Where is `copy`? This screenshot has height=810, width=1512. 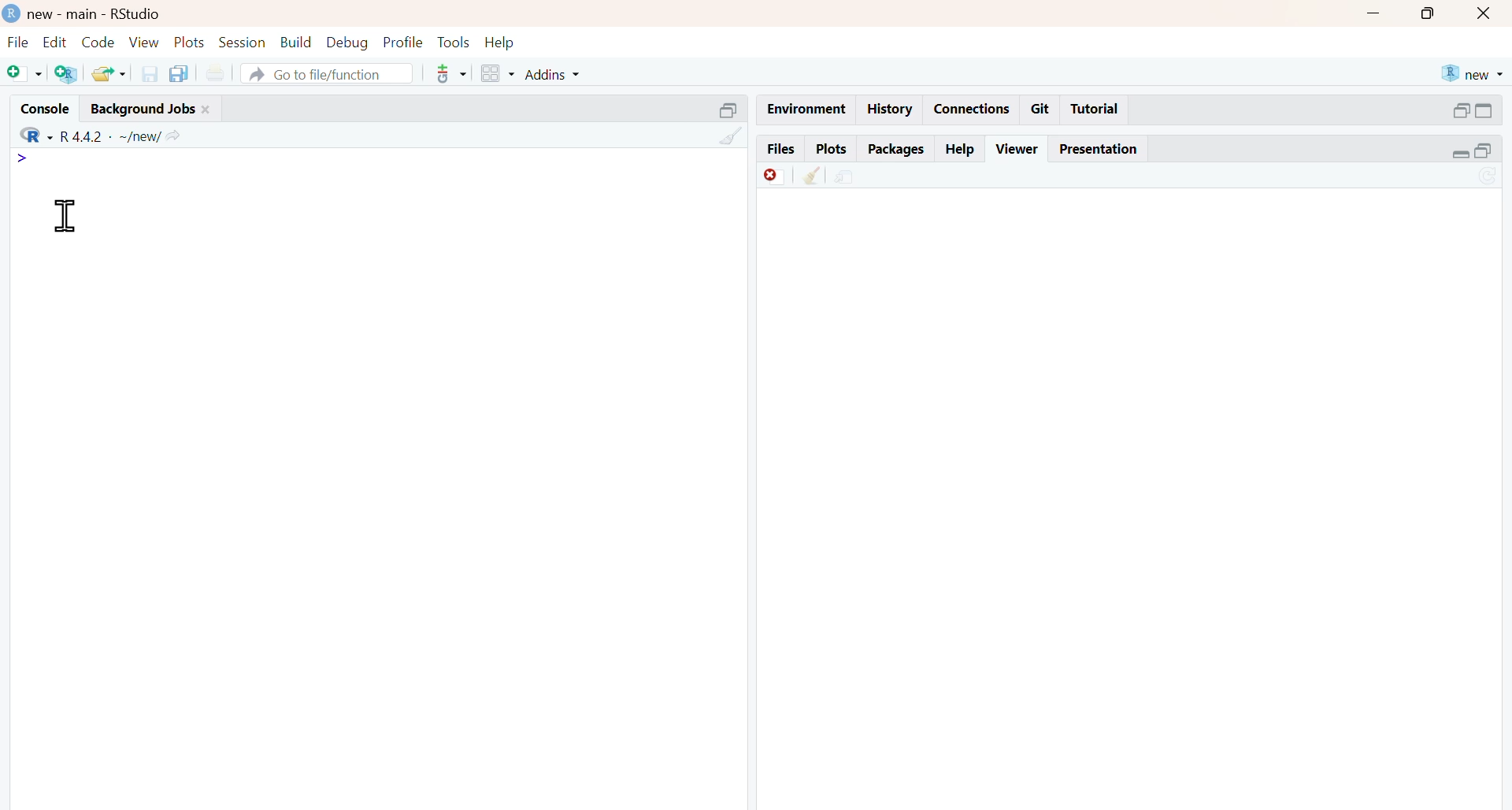
copy is located at coordinates (178, 74).